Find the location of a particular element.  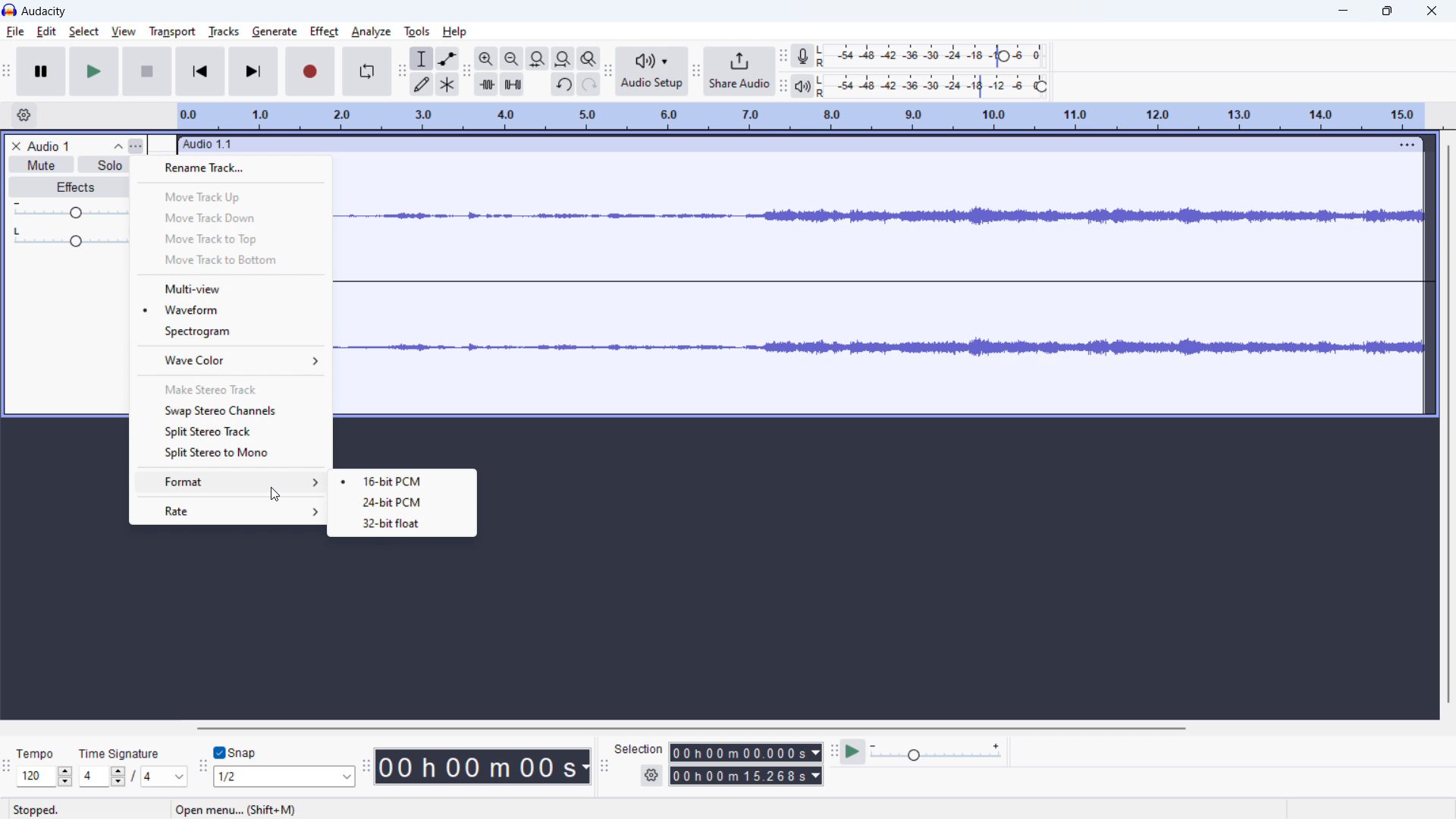

maximize is located at coordinates (1390, 10).